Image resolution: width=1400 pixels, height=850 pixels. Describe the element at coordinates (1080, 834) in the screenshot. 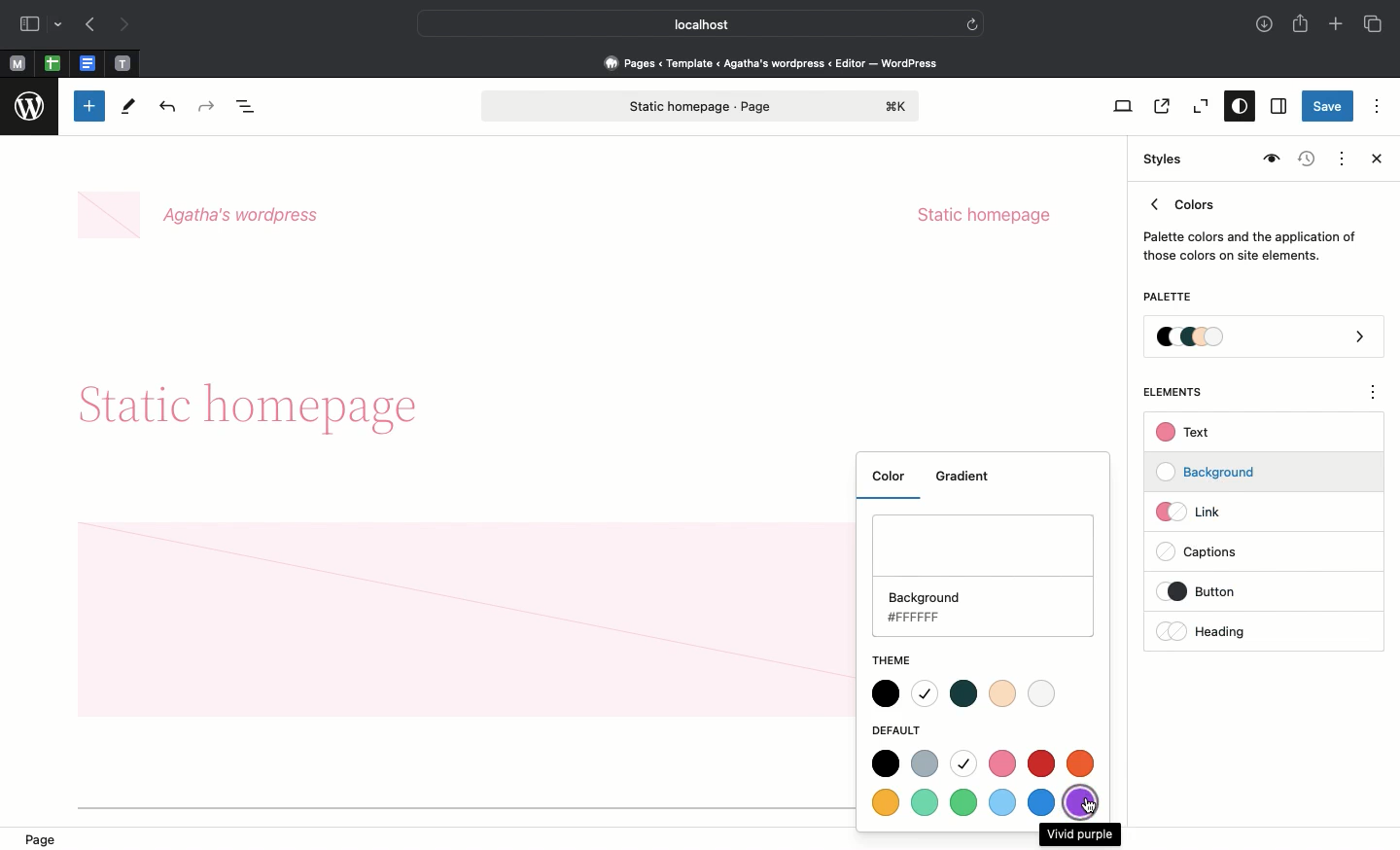

I see `Wild purple` at that location.